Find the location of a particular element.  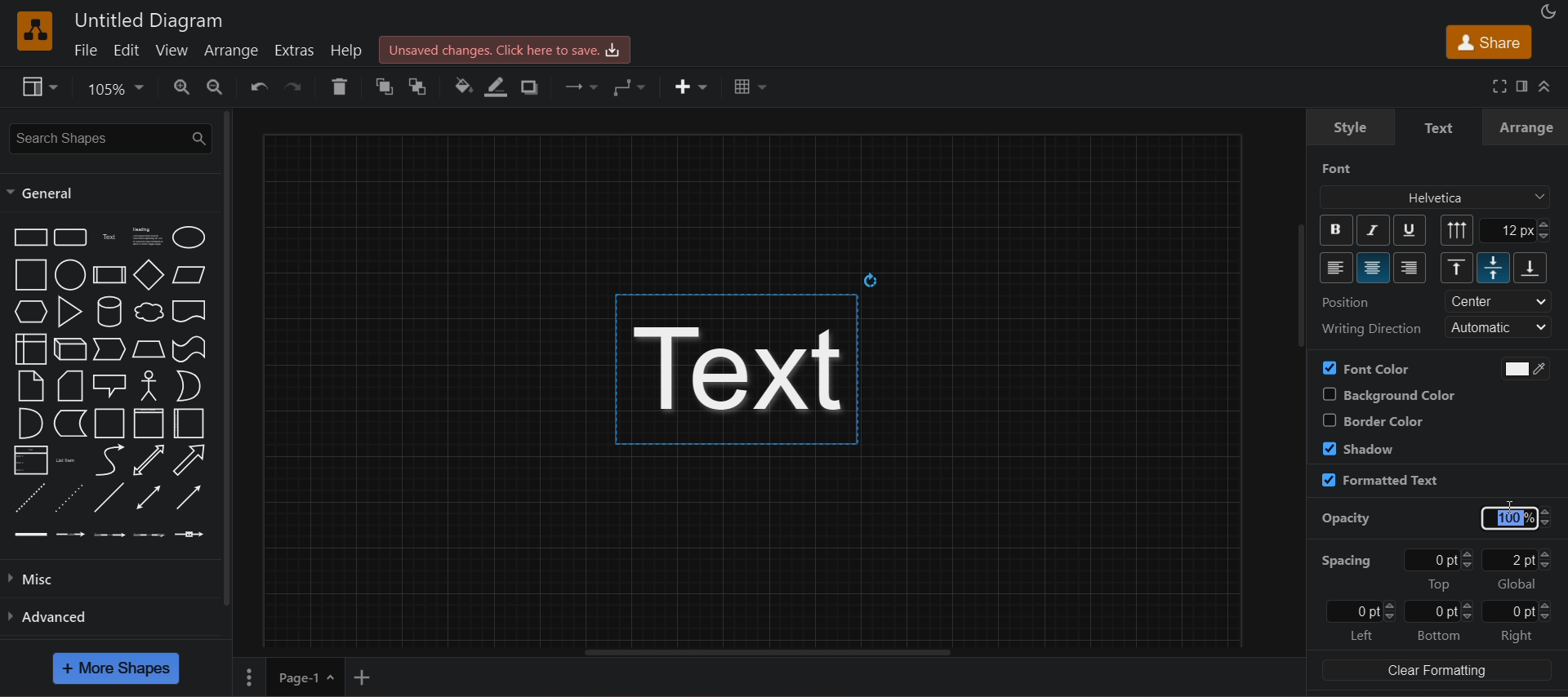

horizontal container is located at coordinates (190, 424).